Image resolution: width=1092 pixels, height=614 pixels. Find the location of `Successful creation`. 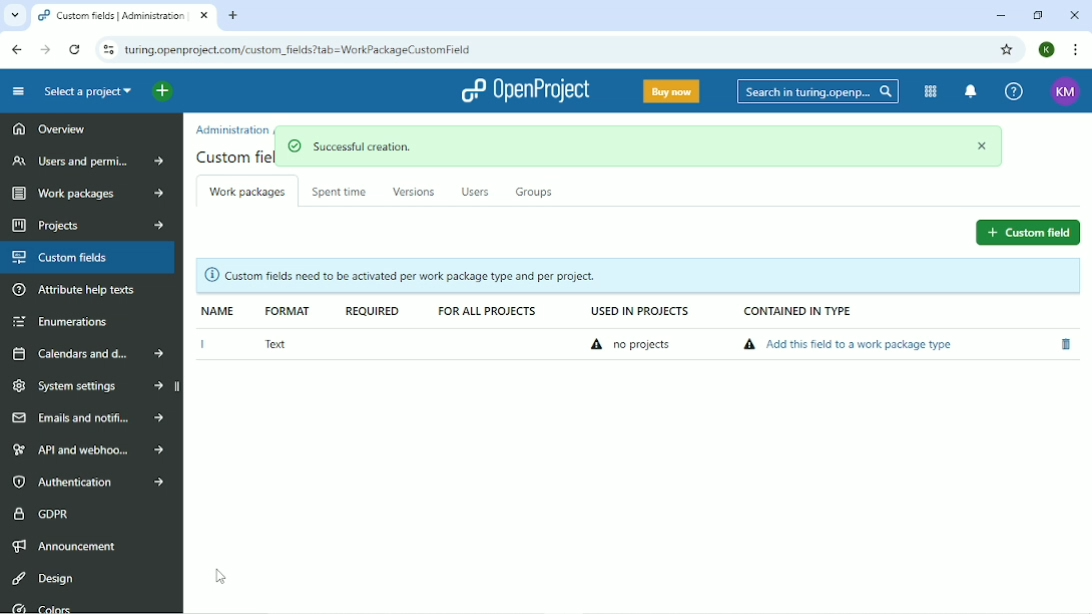

Successful creation is located at coordinates (642, 148).